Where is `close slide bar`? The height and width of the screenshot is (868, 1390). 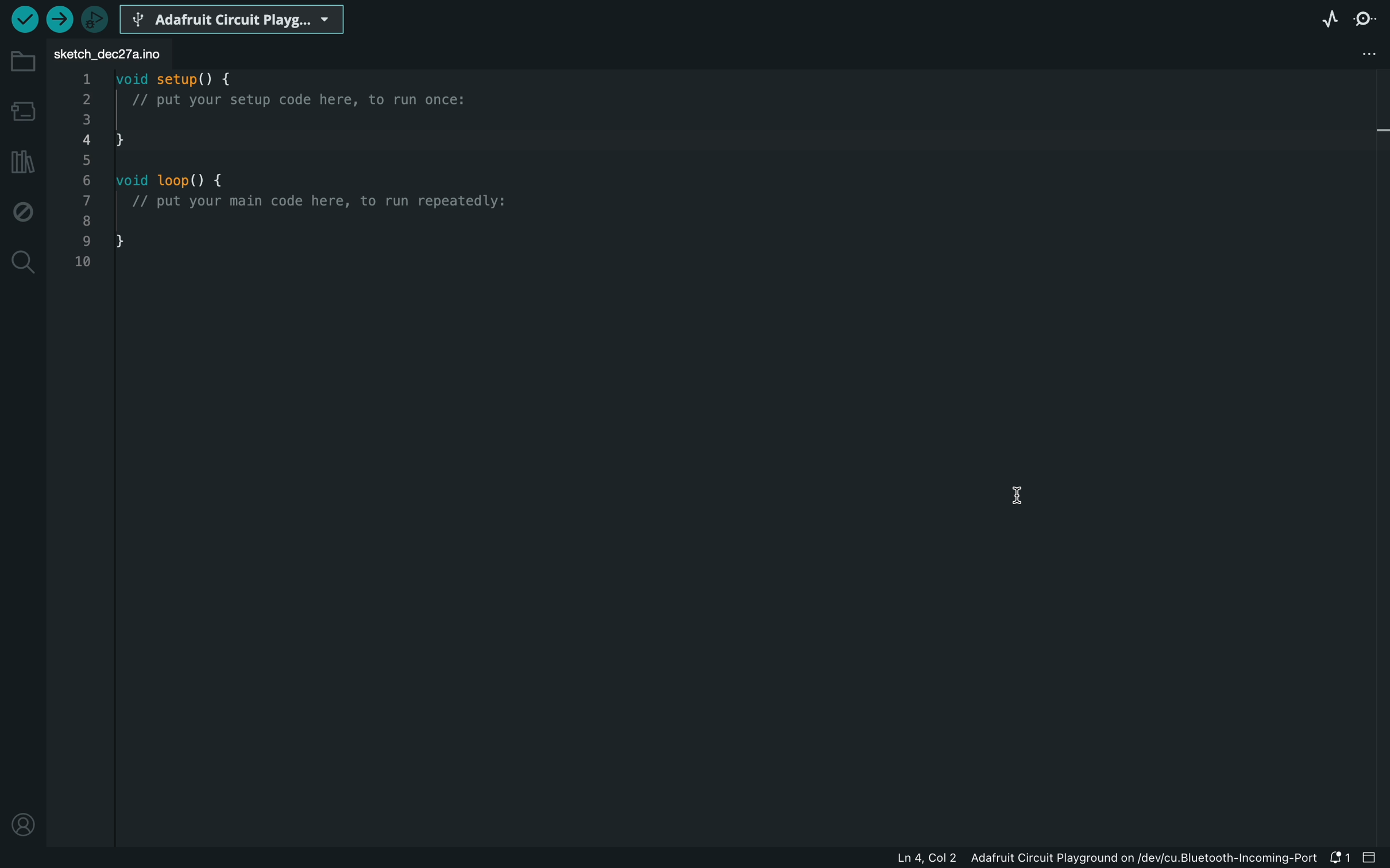 close slide bar is located at coordinates (1372, 857).